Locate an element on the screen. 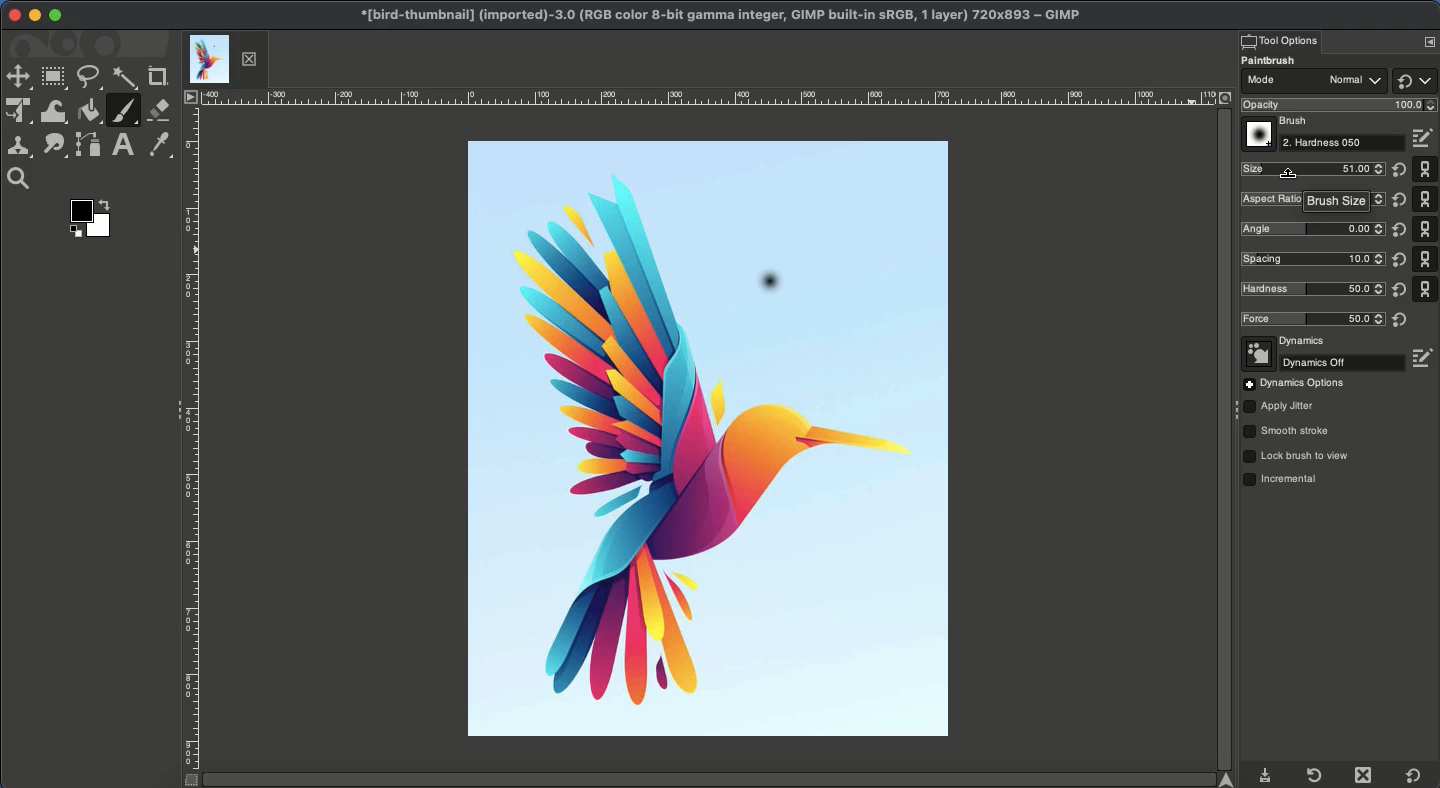 The image size is (1440, 788). Reset is located at coordinates (1397, 245).